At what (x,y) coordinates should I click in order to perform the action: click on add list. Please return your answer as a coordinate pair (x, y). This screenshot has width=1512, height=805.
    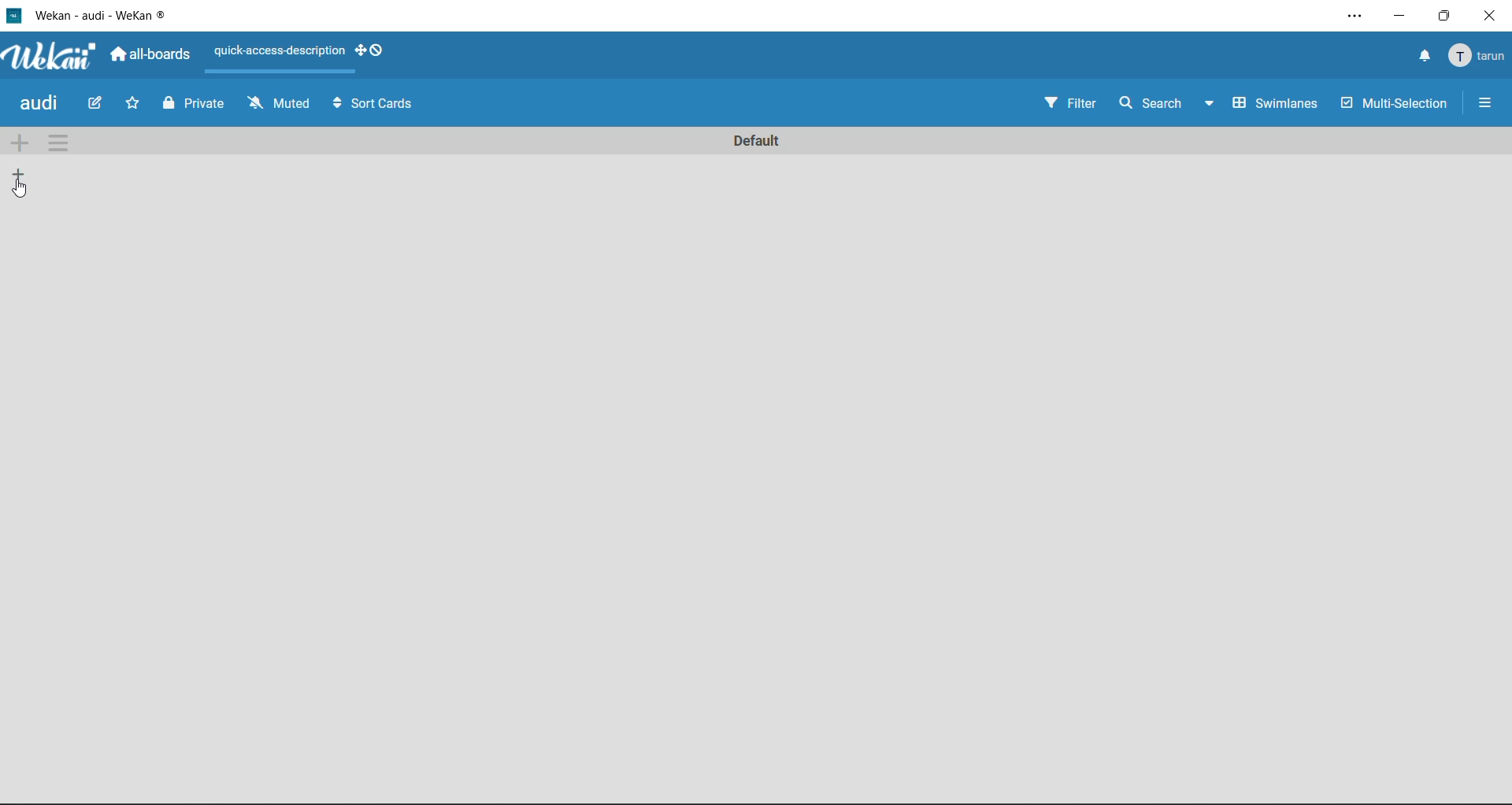
    Looking at the image, I should click on (16, 174).